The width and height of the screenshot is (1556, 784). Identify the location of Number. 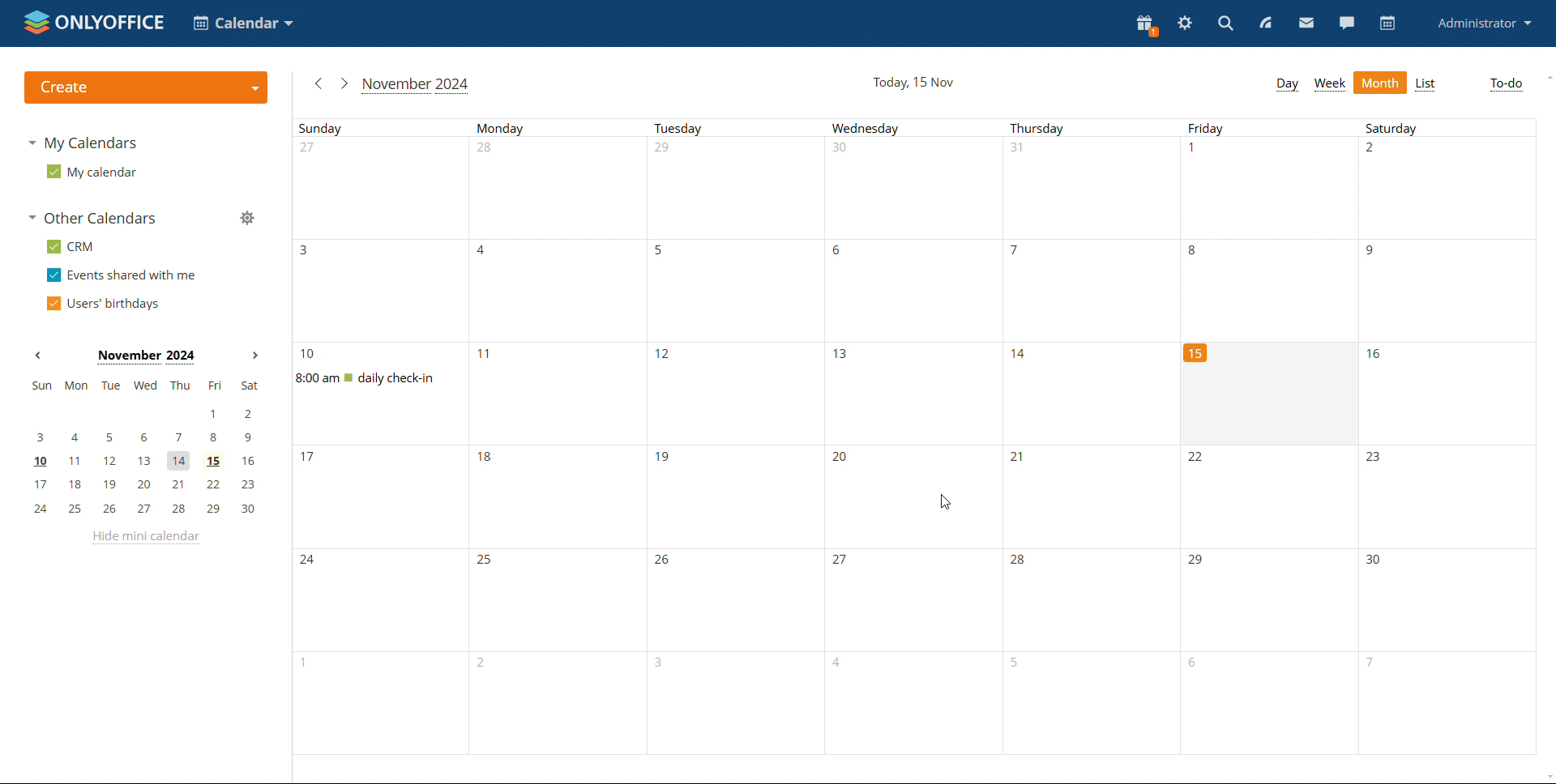
(847, 254).